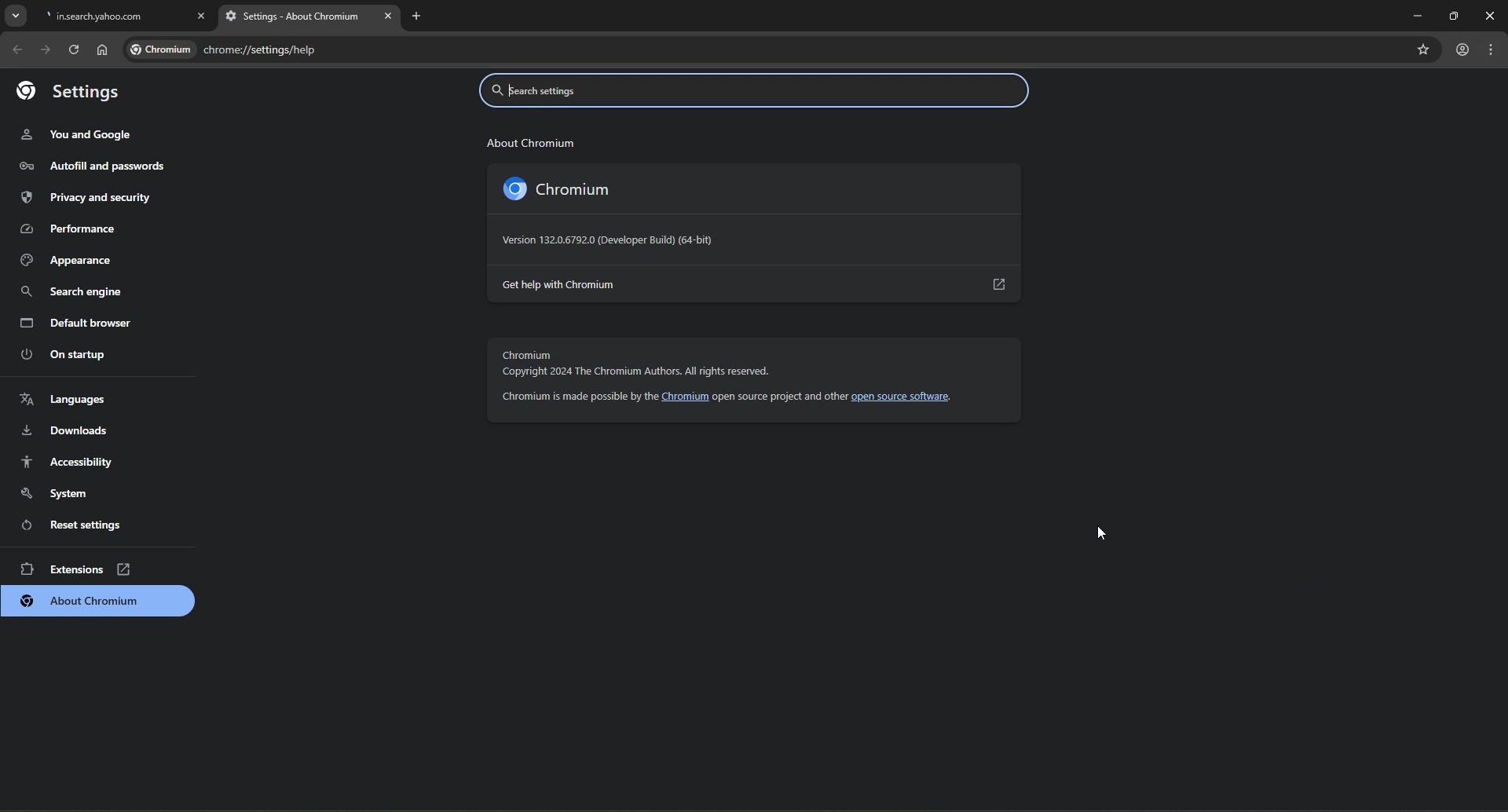  I want to click on Downloads, so click(82, 431).